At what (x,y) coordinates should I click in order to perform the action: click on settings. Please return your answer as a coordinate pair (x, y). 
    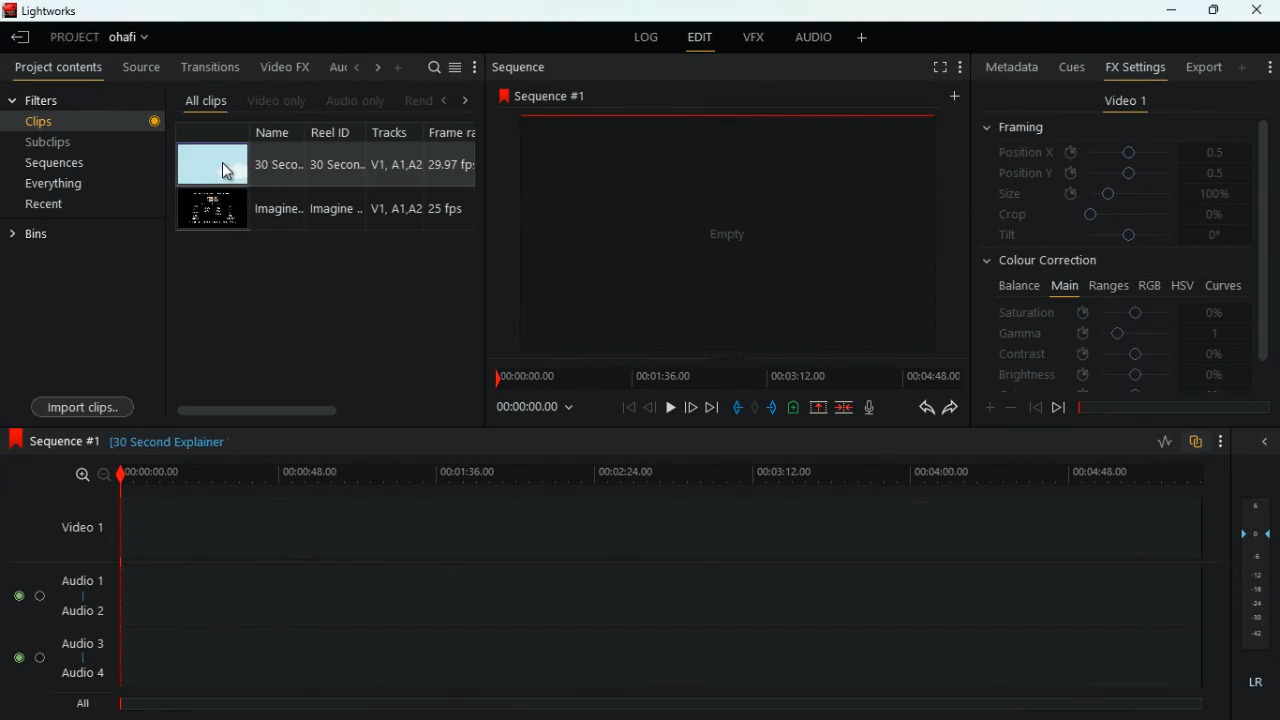
    Looking at the image, I should click on (1268, 65).